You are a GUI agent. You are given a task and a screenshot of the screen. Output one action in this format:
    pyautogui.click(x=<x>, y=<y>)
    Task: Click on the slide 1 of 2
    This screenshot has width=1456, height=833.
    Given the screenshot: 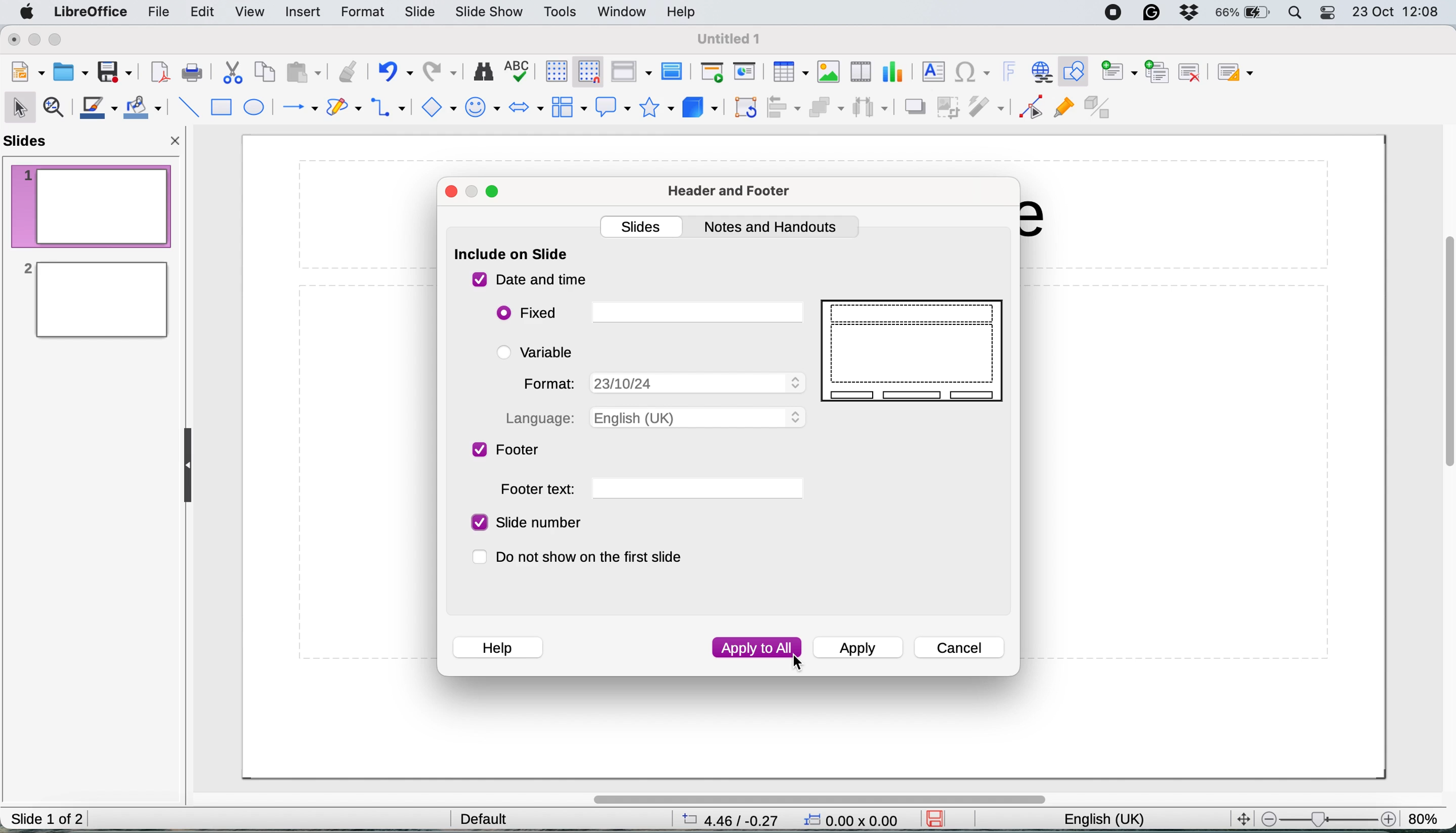 What is the action you would take?
    pyautogui.click(x=47, y=820)
    